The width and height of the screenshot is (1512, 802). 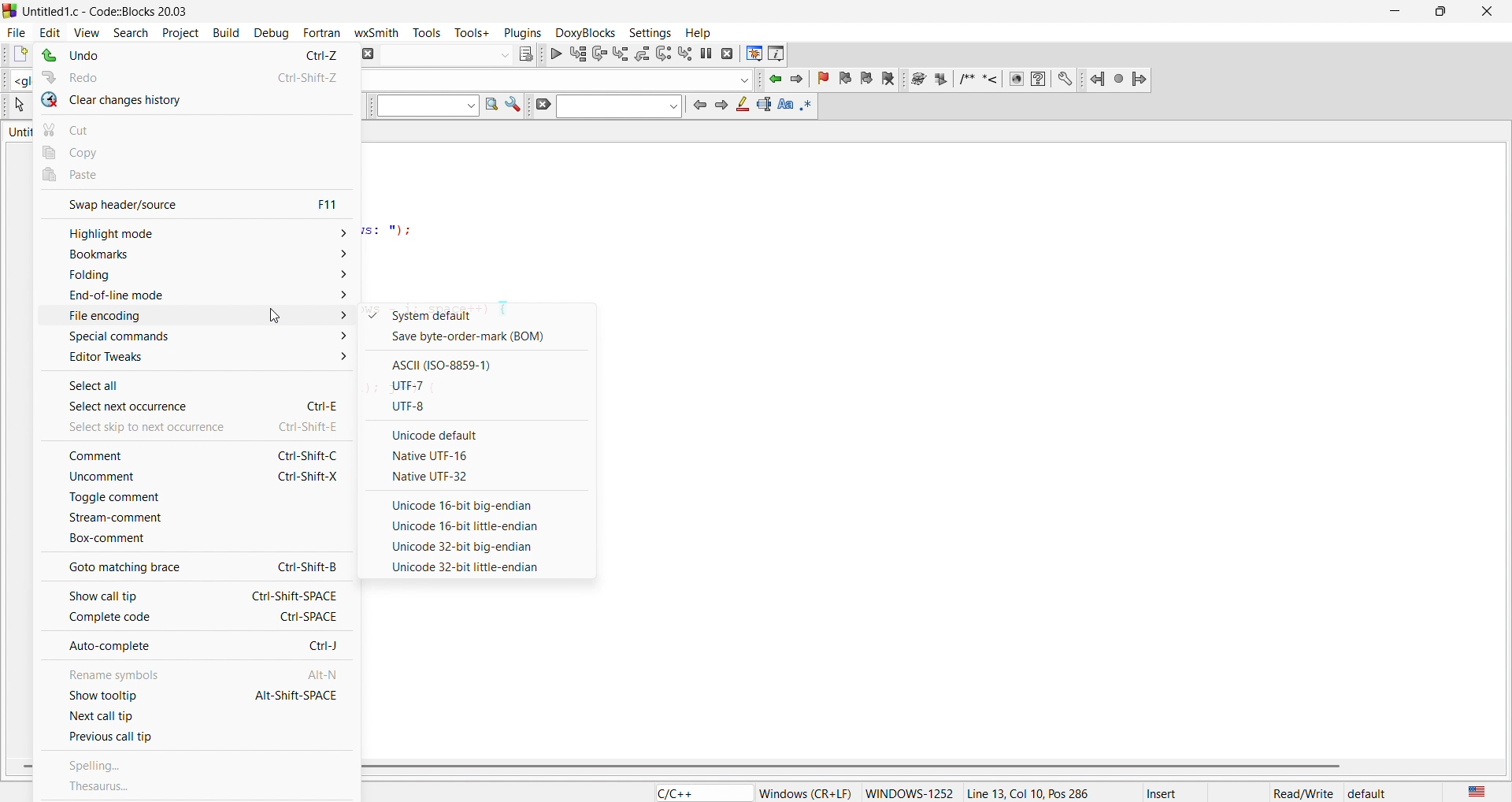 I want to click on next line, so click(x=598, y=54).